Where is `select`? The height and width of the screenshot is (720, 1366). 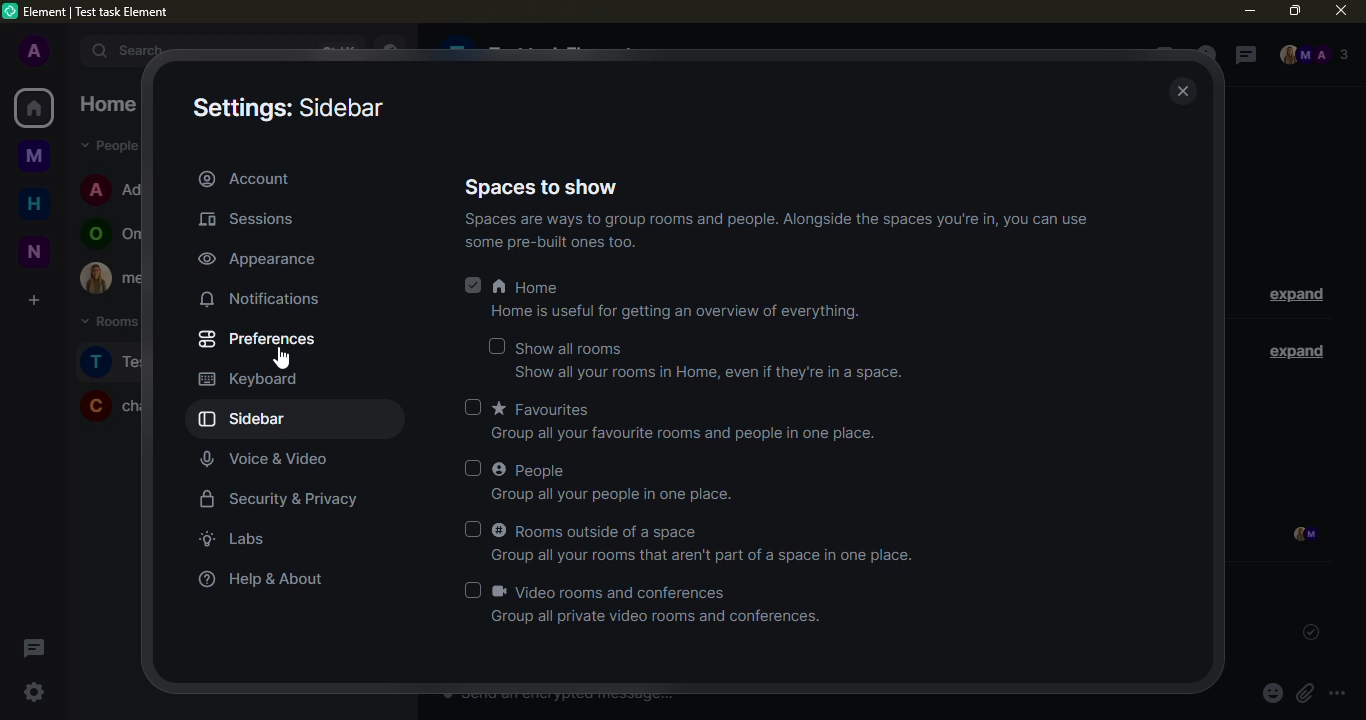
select is located at coordinates (472, 528).